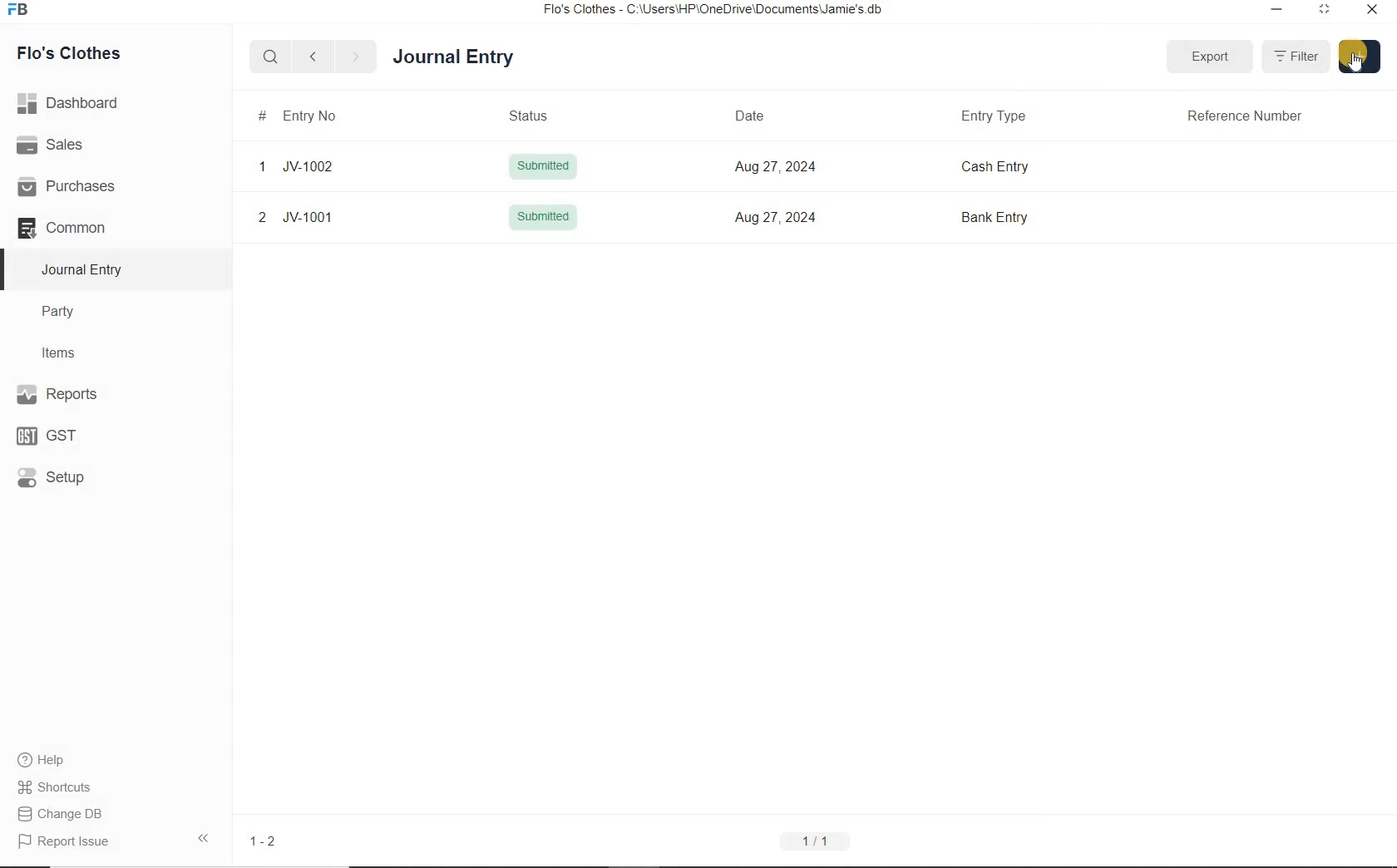 The width and height of the screenshot is (1397, 868). What do you see at coordinates (1251, 114) in the screenshot?
I see `Reference Number` at bounding box center [1251, 114].